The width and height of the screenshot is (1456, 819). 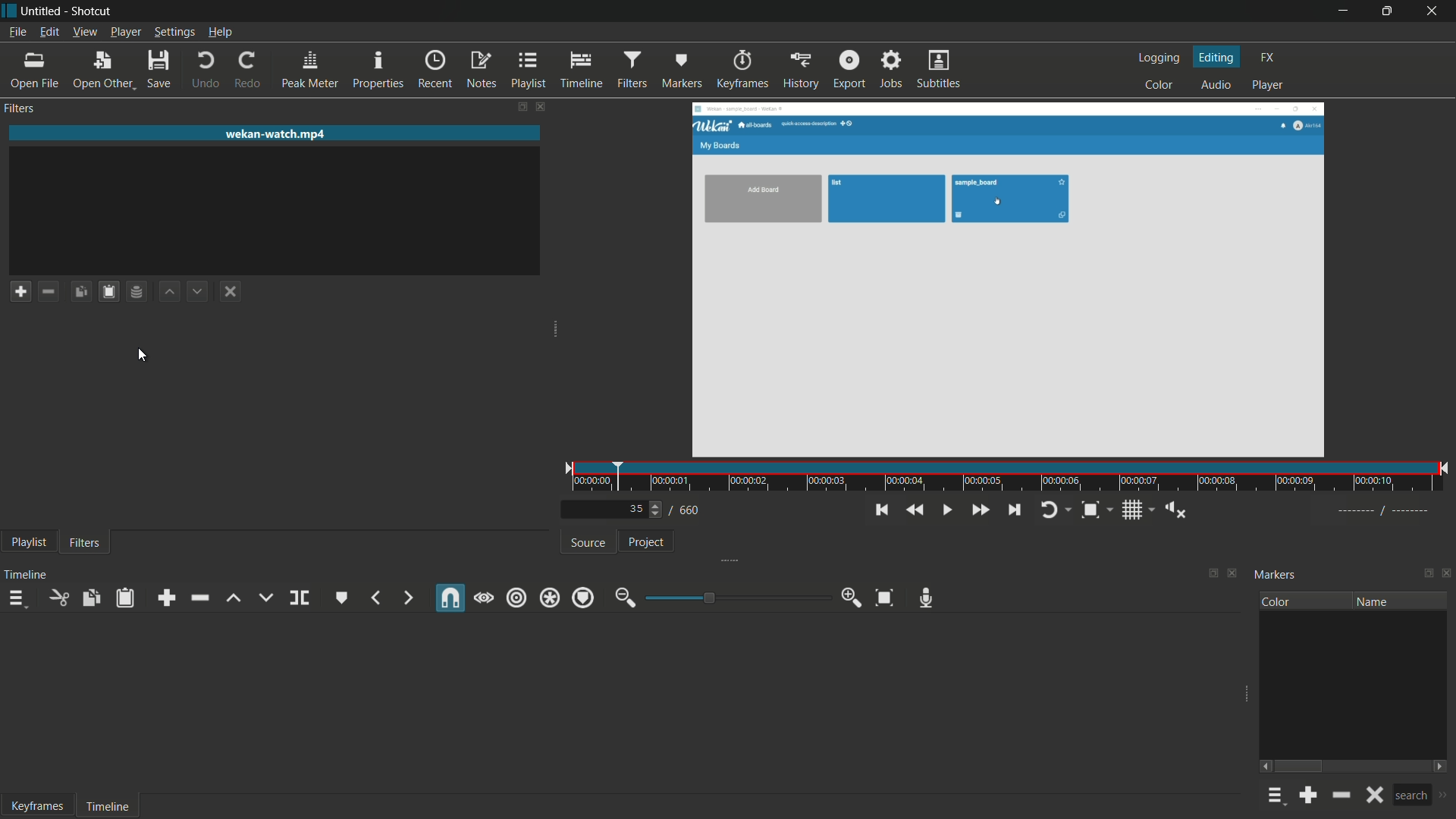 What do you see at coordinates (1382, 511) in the screenshot?
I see `----- / ---` at bounding box center [1382, 511].